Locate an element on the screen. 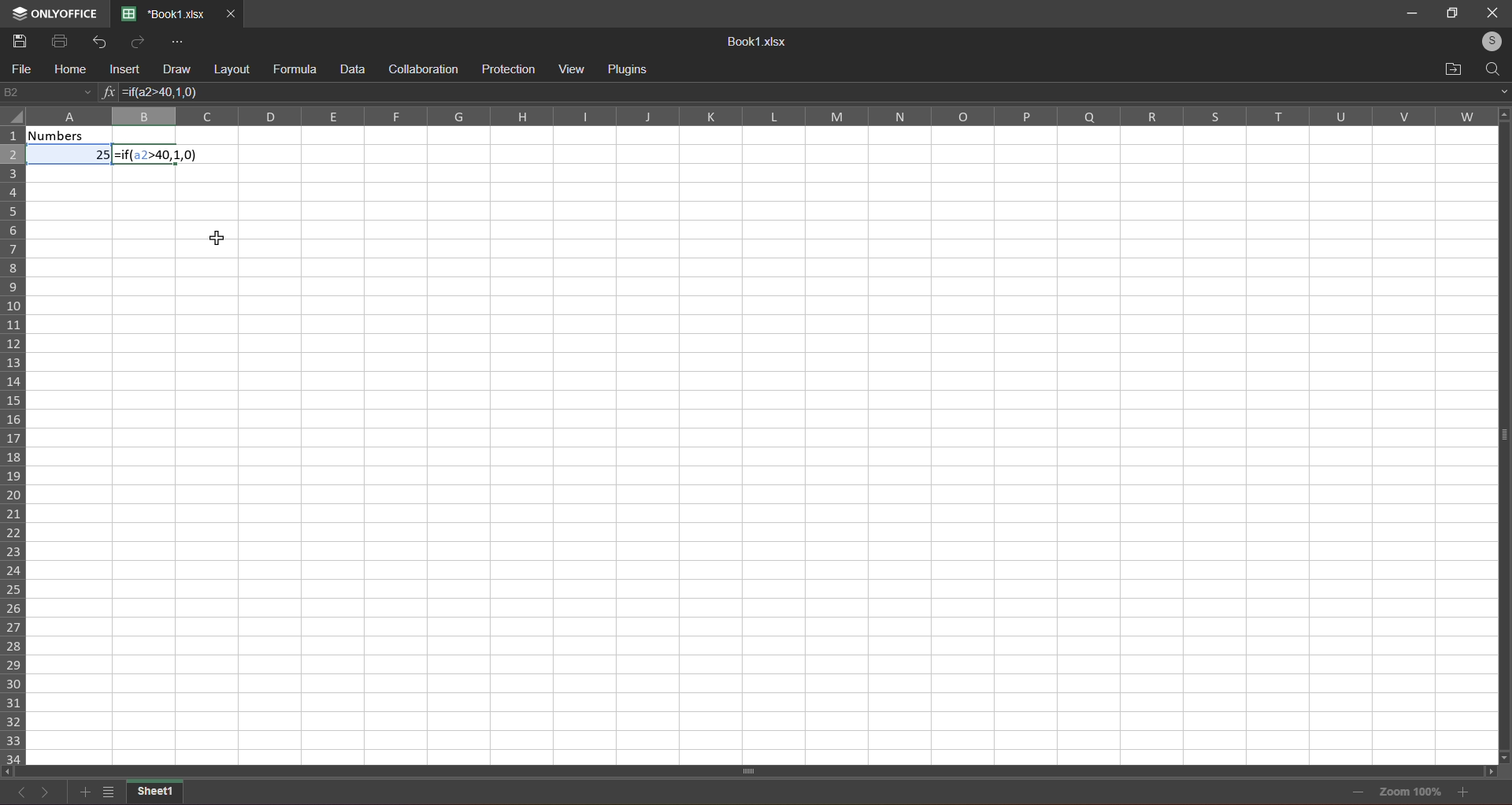 Image resolution: width=1512 pixels, height=805 pixels. zoom 100% is located at coordinates (1413, 793).